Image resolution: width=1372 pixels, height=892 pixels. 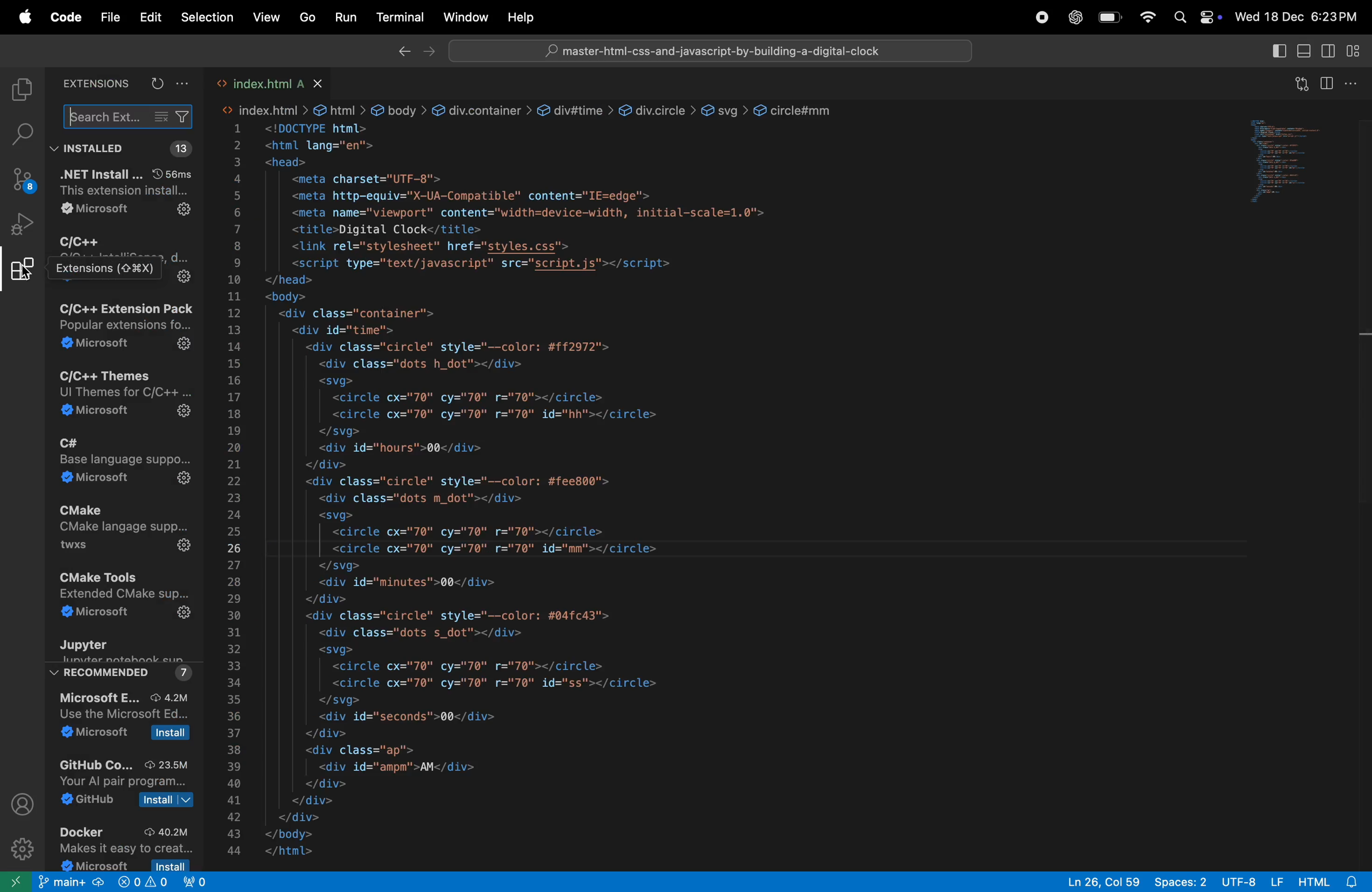 What do you see at coordinates (130, 117) in the screenshot?
I see `search ` at bounding box center [130, 117].